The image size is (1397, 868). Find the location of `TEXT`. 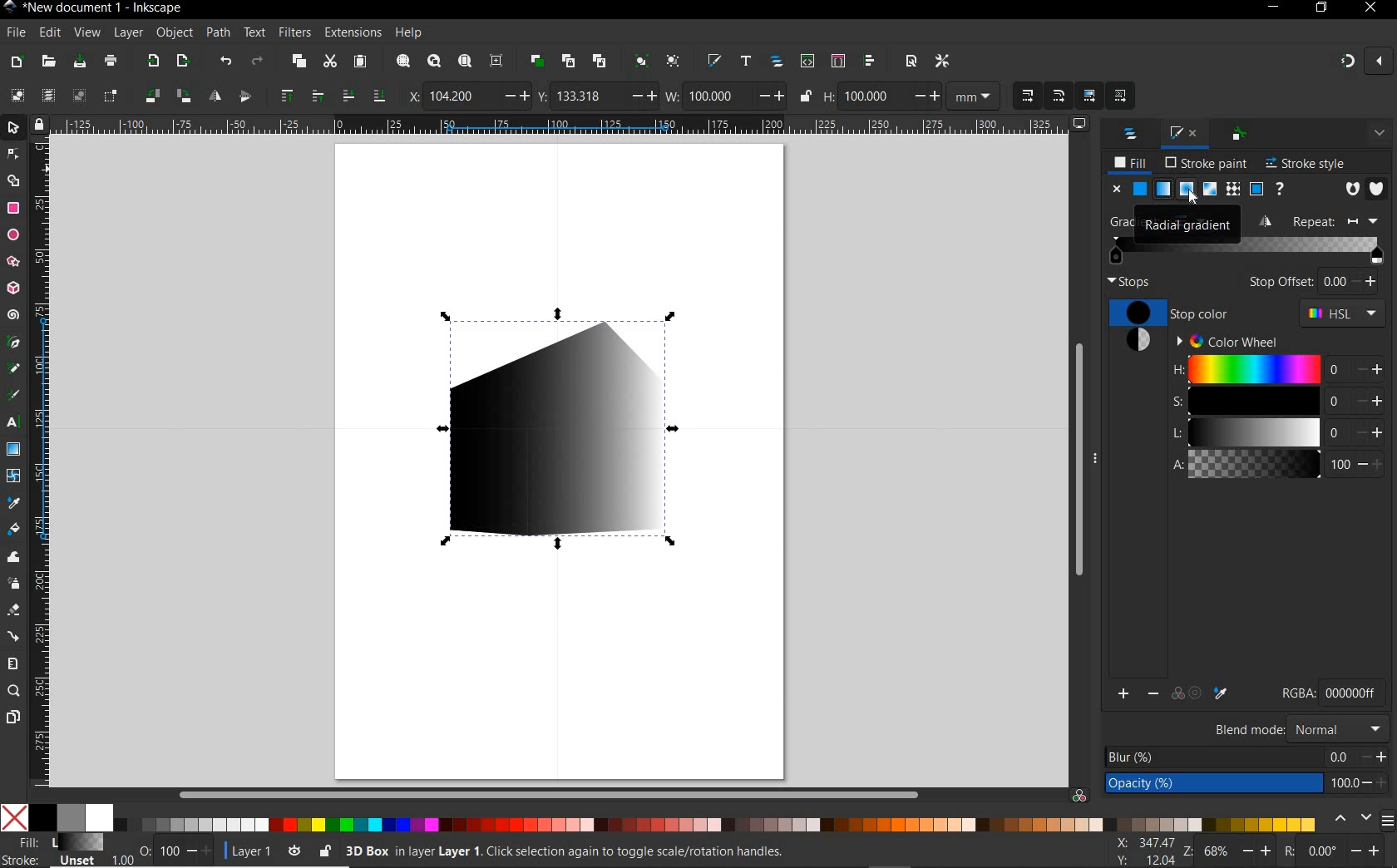

TEXT is located at coordinates (254, 32).